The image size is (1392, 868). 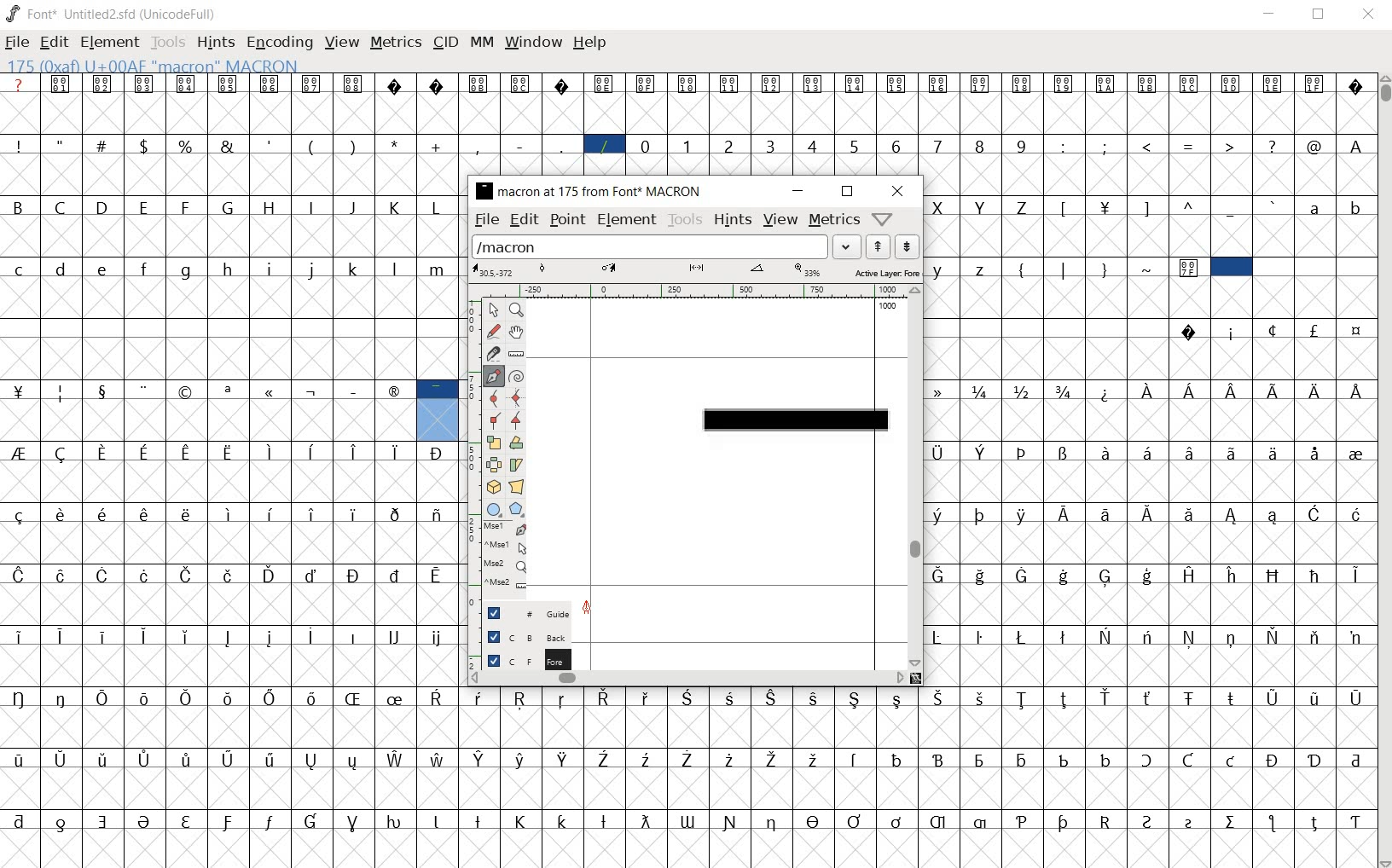 I want to click on point, so click(x=491, y=310).